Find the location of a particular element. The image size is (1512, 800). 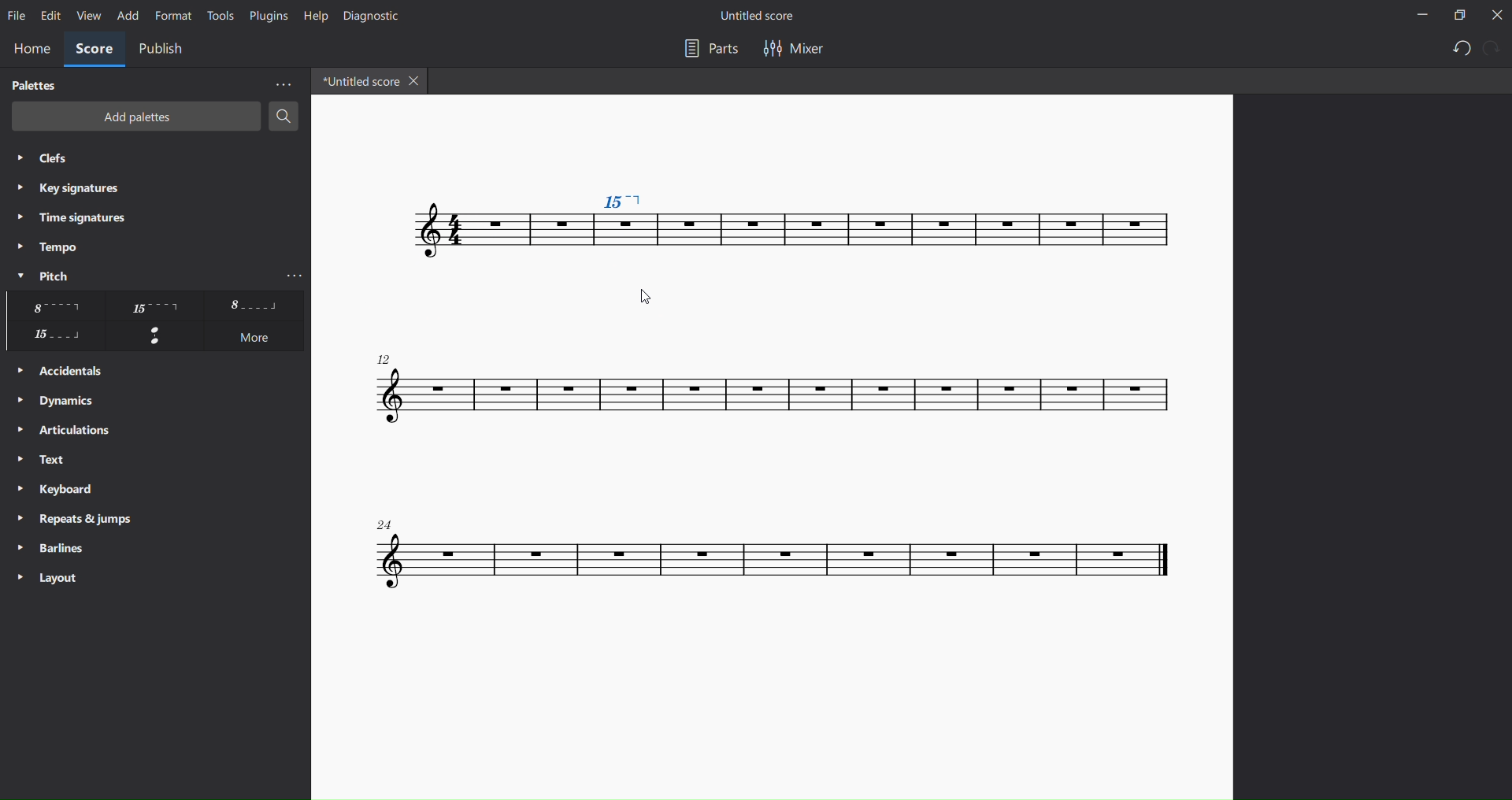

add is located at coordinates (124, 15).